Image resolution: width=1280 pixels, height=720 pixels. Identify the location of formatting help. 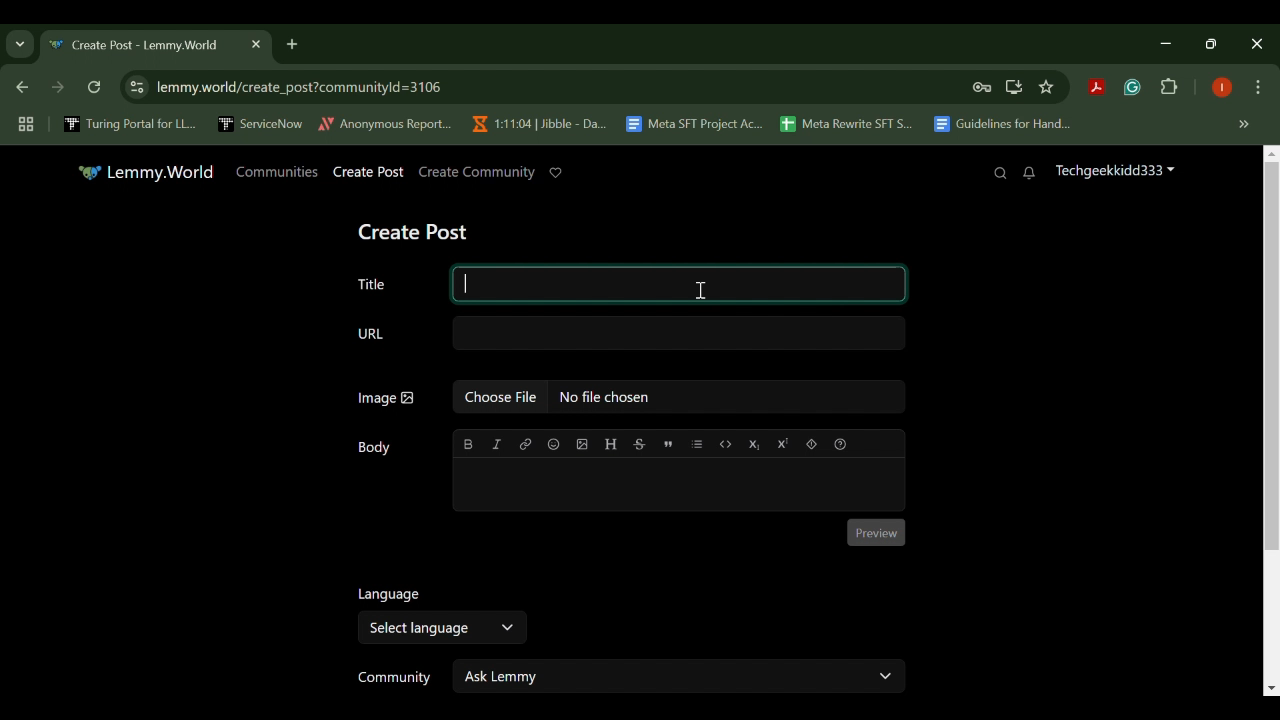
(839, 442).